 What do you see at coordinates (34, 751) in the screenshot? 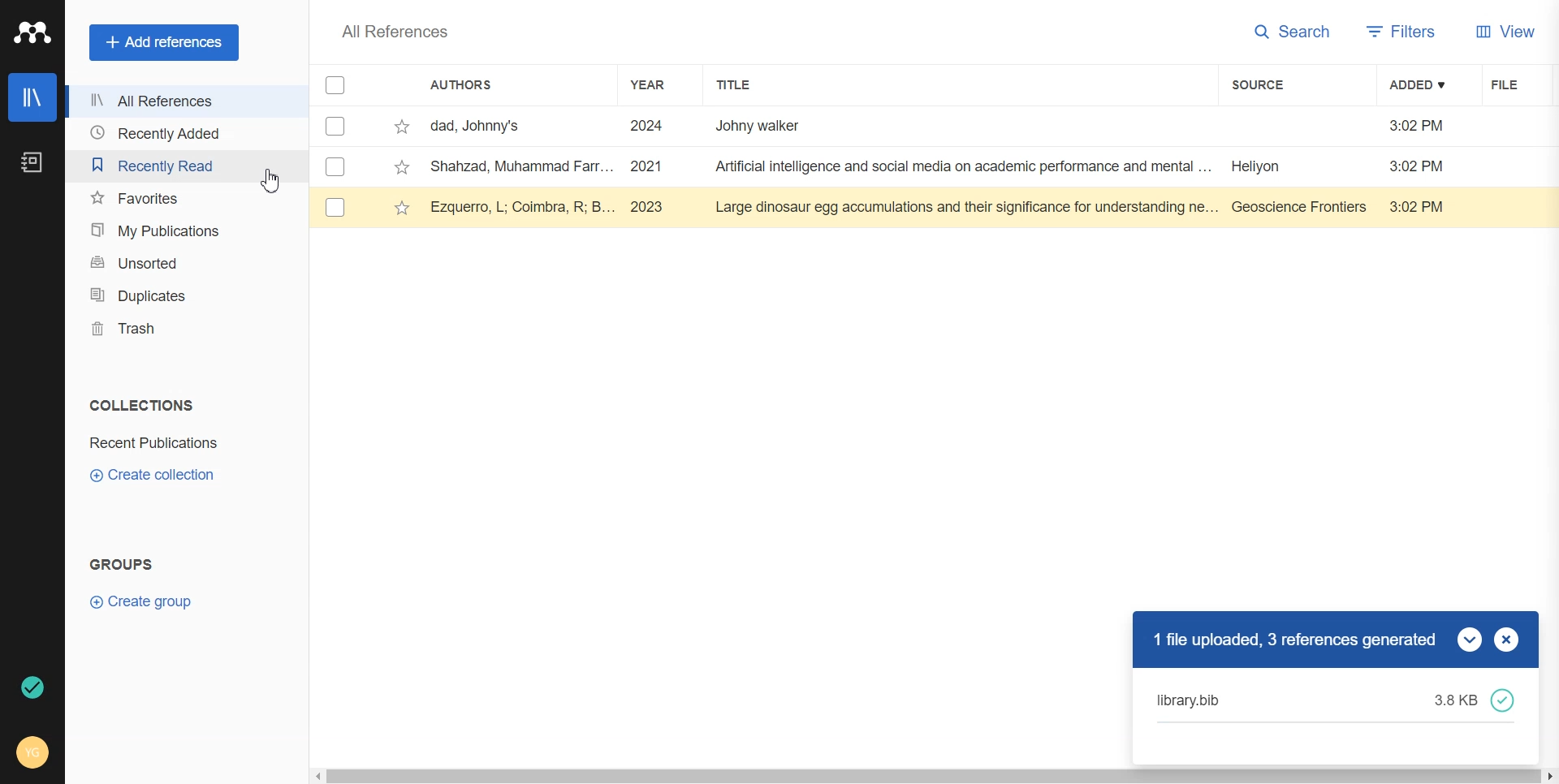
I see `Account` at bounding box center [34, 751].